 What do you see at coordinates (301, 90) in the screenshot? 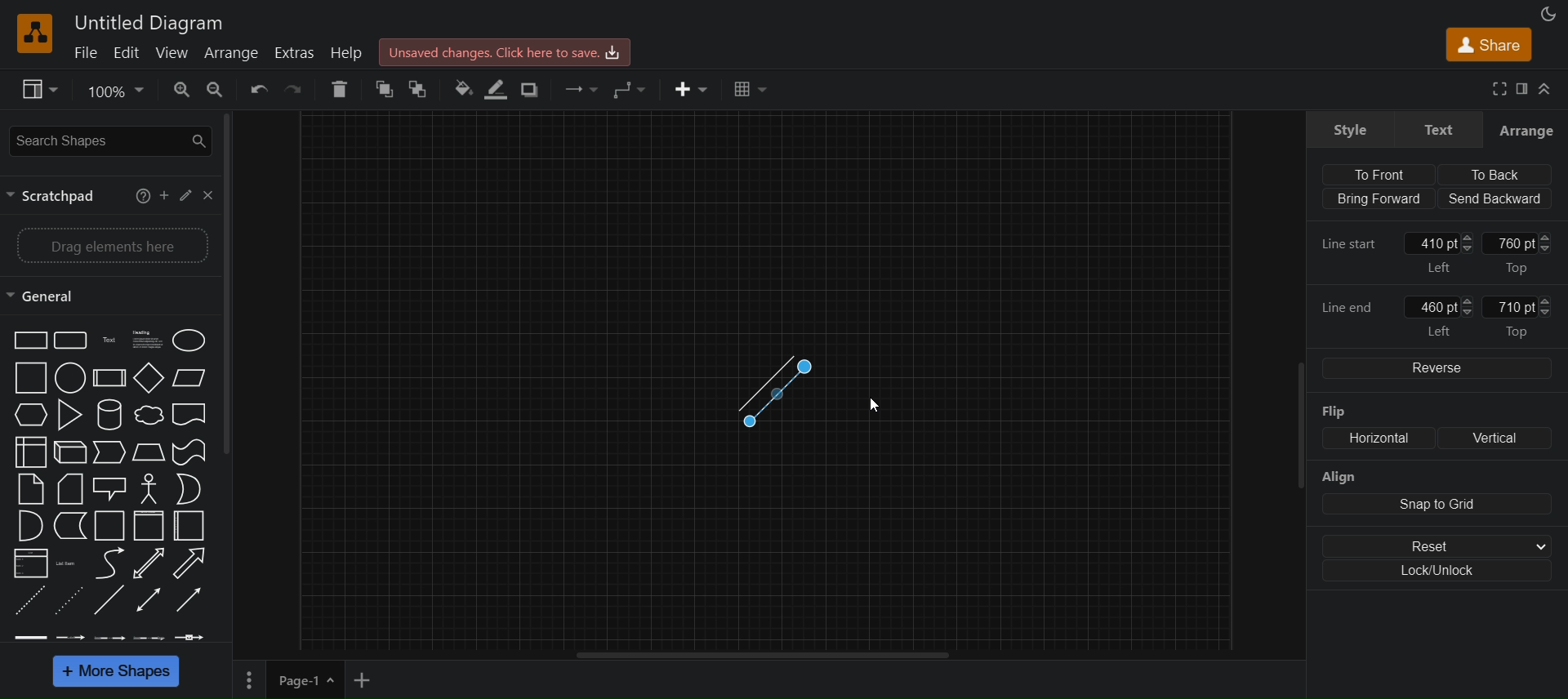
I see `redo` at bounding box center [301, 90].